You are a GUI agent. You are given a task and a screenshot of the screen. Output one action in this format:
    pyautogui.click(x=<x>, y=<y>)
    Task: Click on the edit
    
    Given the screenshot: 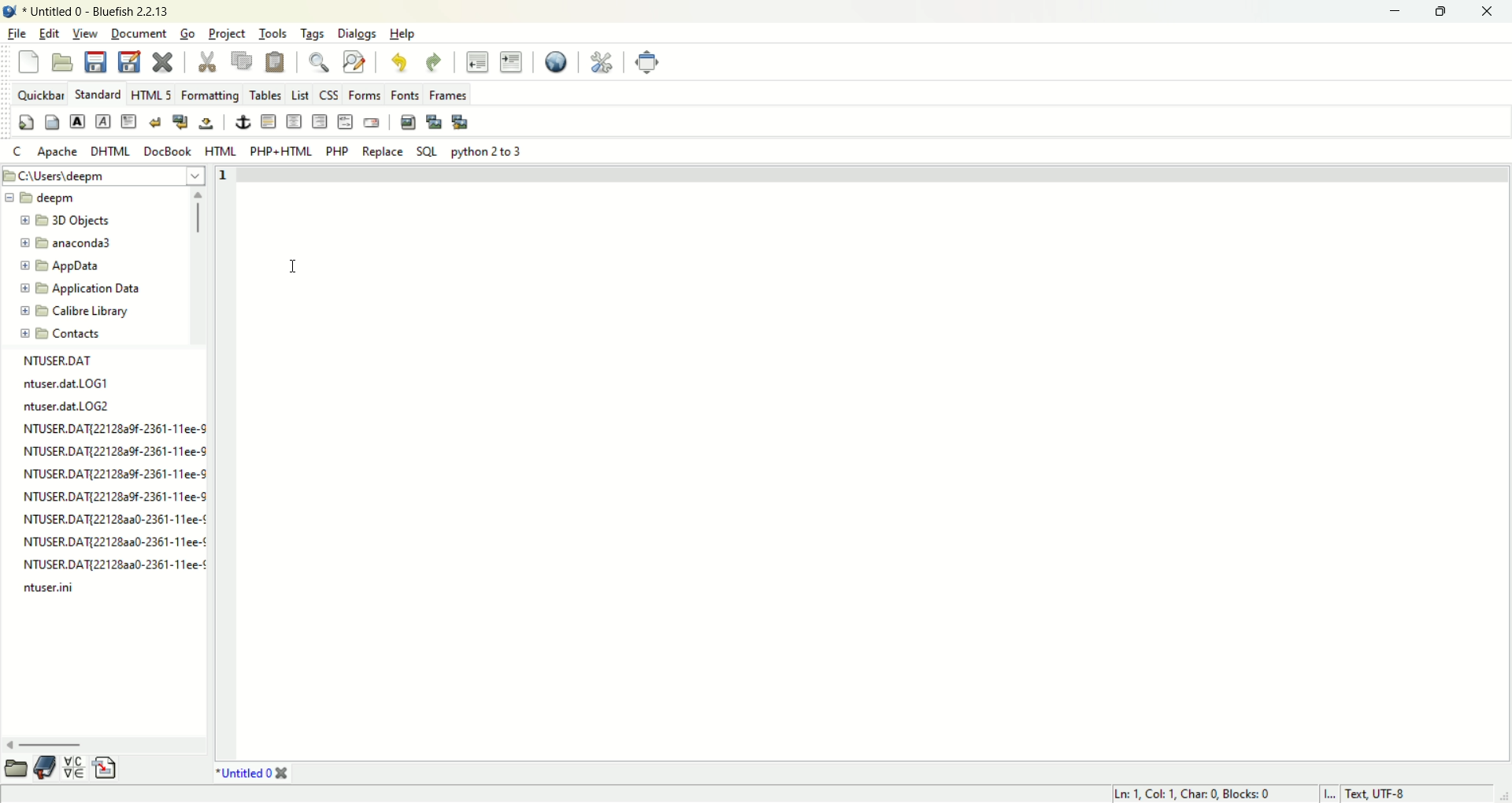 What is the action you would take?
    pyautogui.click(x=49, y=34)
    